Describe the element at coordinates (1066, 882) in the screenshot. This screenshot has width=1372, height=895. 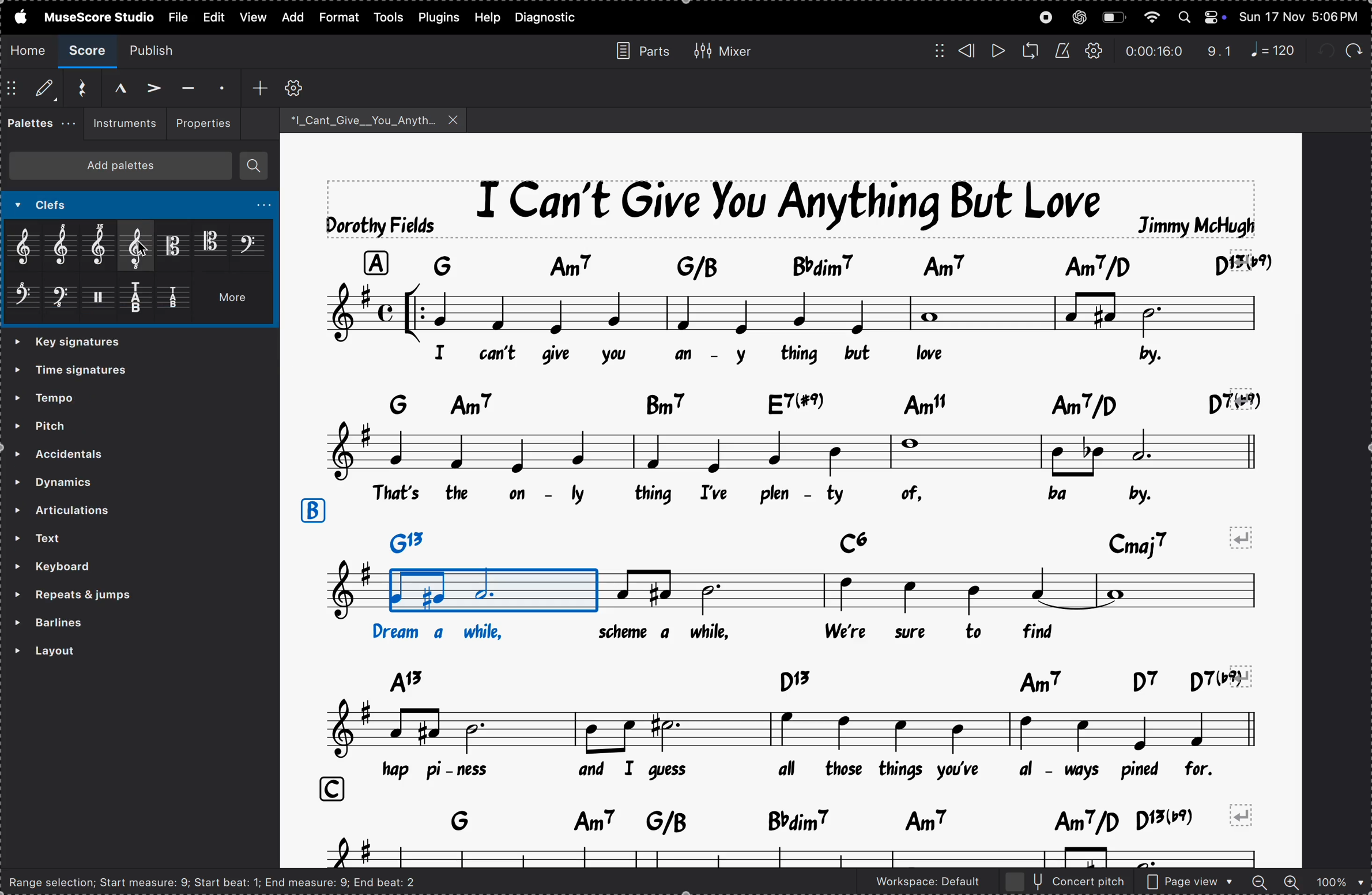
I see `concert pitch` at that location.